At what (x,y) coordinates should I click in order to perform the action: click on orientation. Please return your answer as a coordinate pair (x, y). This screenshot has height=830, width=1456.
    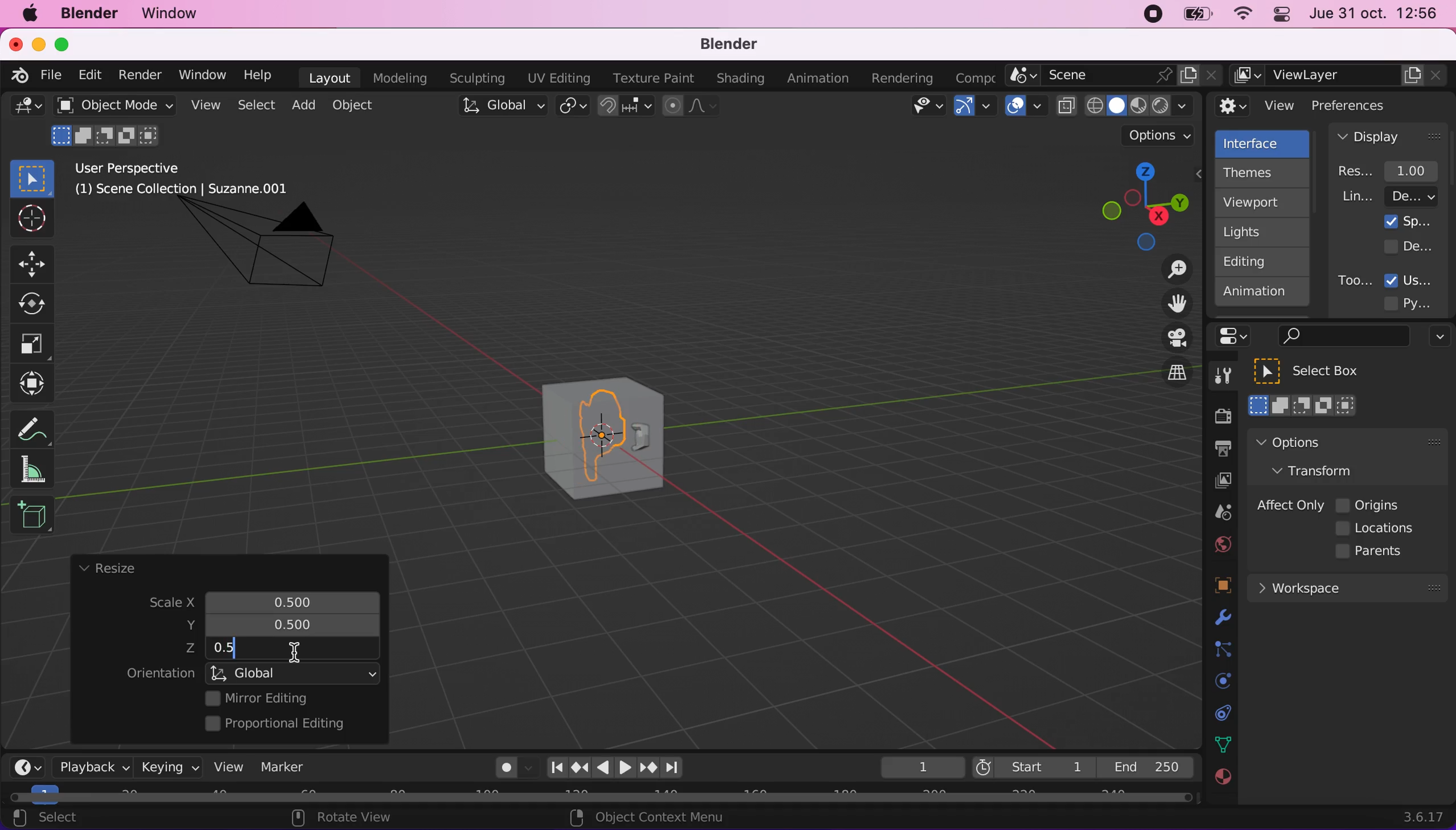
    Looking at the image, I should click on (253, 673).